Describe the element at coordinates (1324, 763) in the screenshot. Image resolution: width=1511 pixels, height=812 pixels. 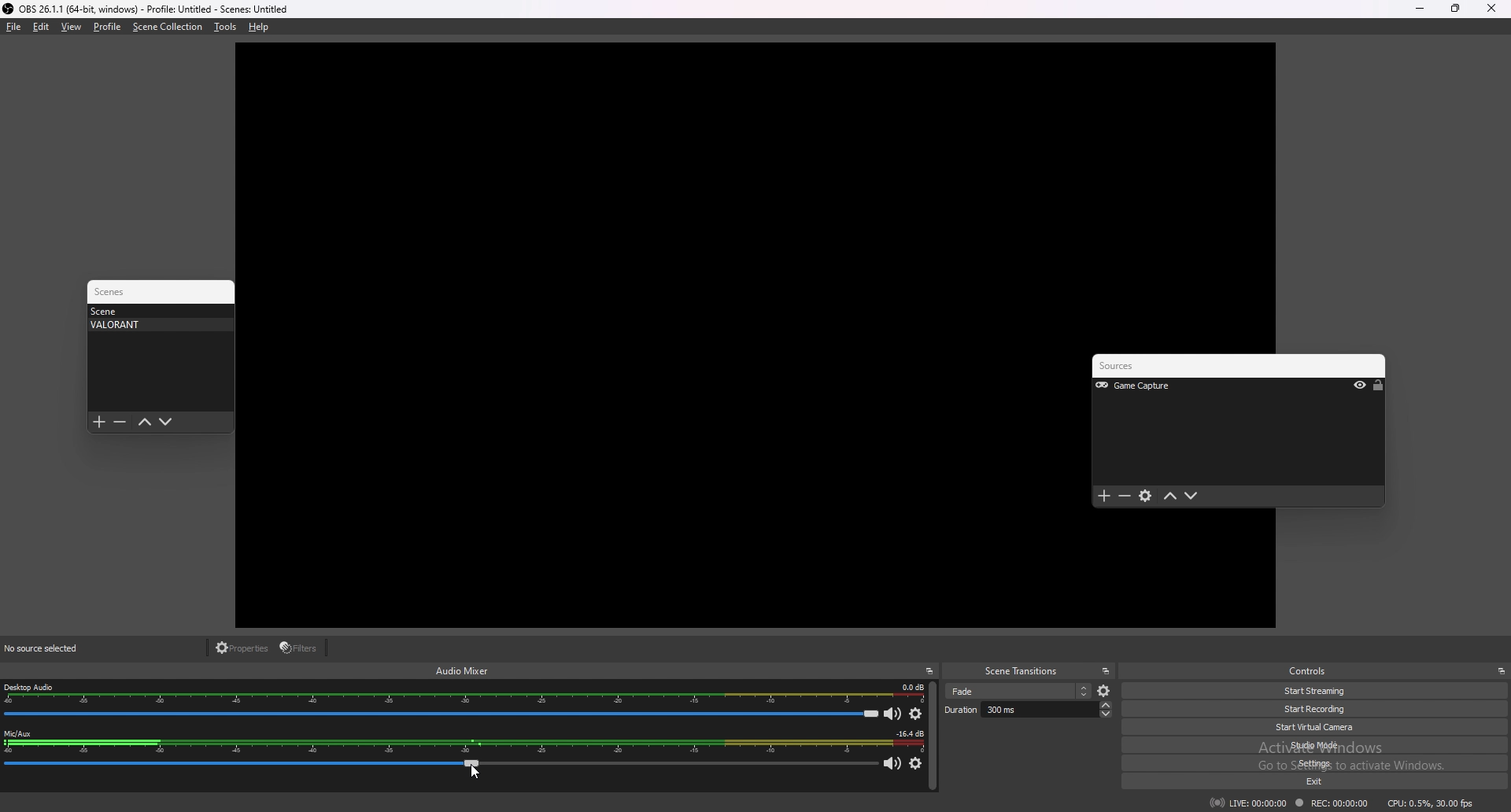
I see `settings` at that location.